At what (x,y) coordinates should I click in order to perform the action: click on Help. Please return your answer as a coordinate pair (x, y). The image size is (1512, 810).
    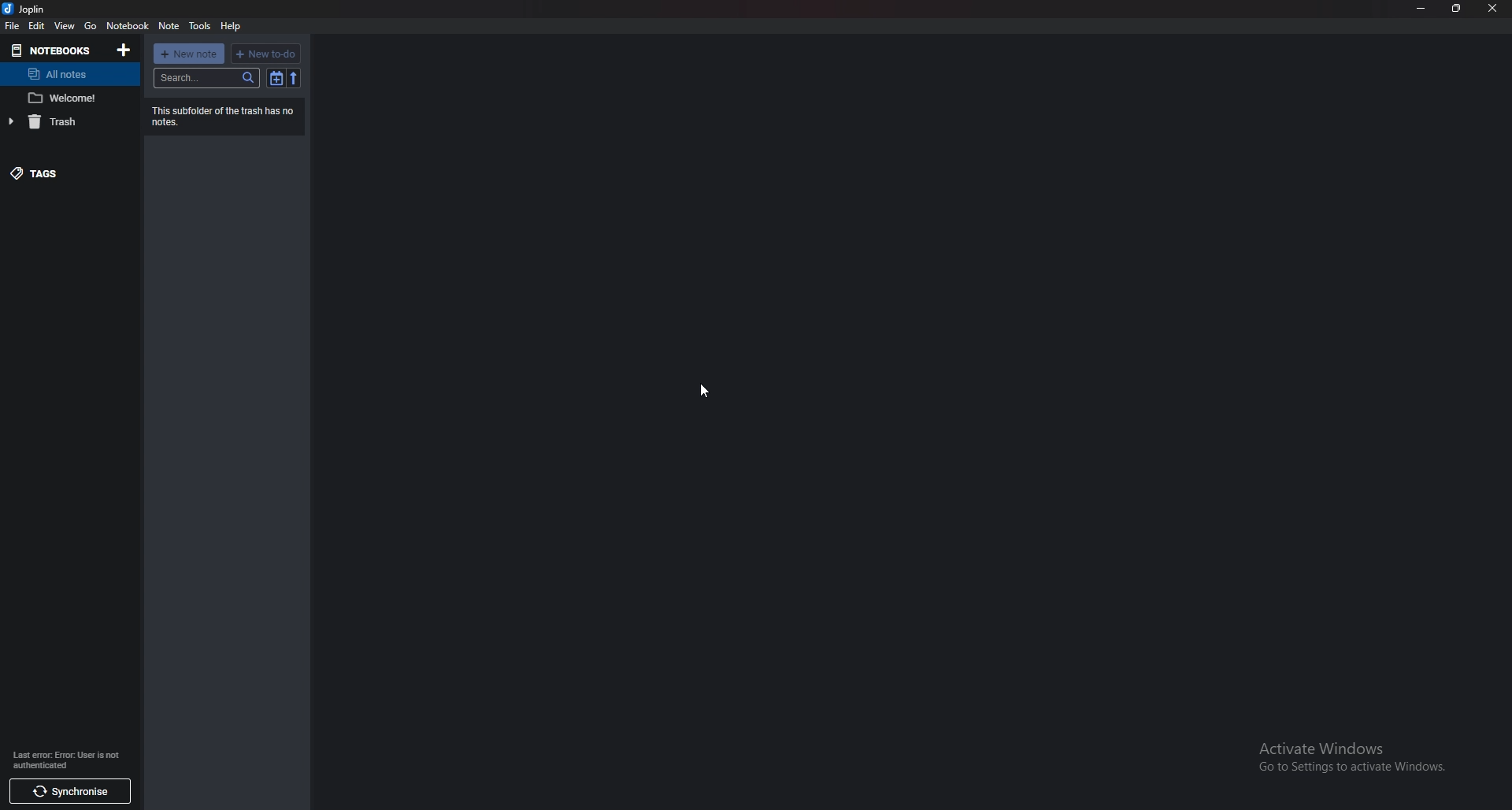
    Looking at the image, I should click on (230, 26).